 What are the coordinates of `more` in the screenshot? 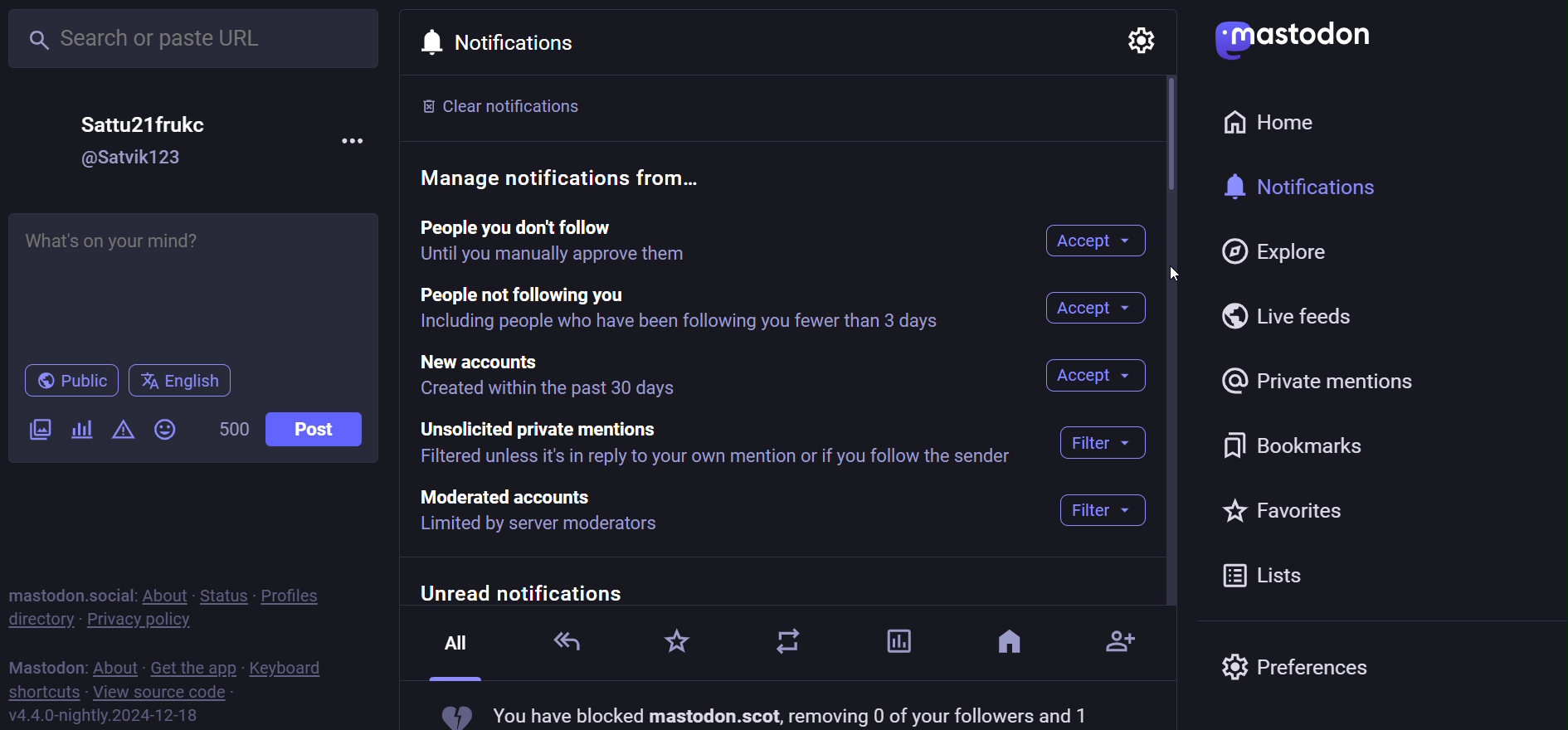 It's located at (356, 139).